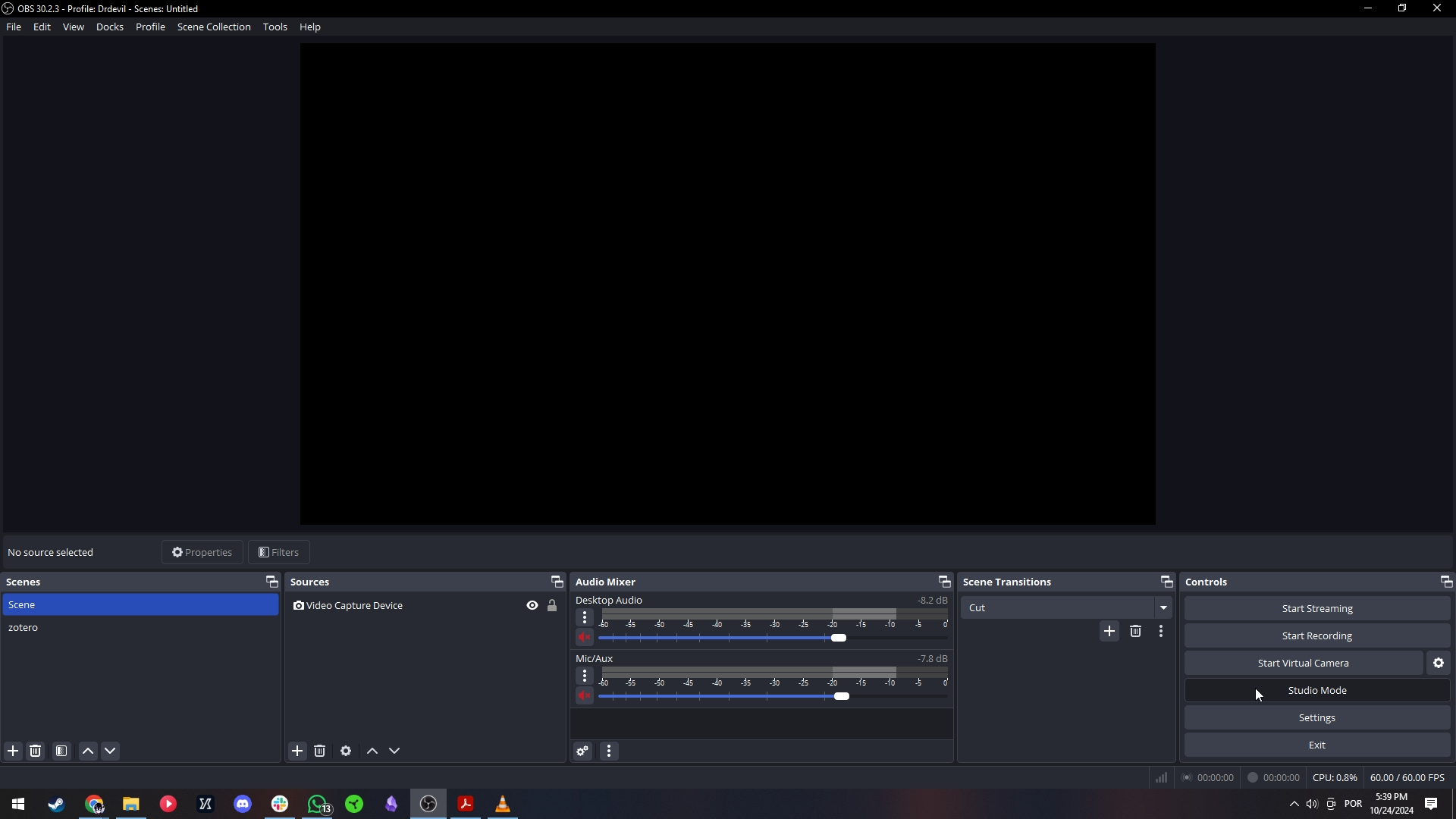  Describe the element at coordinates (111, 27) in the screenshot. I see `Docks` at that location.